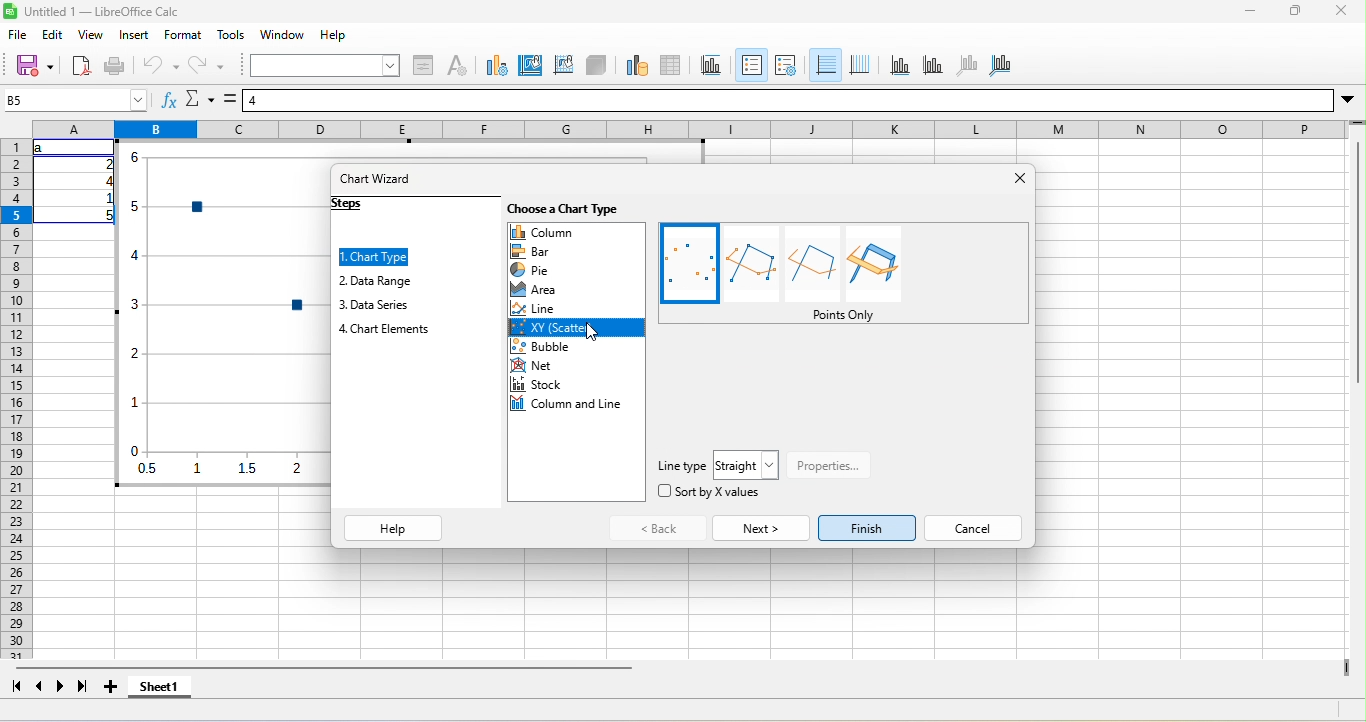  What do you see at coordinates (106, 181) in the screenshot?
I see `4` at bounding box center [106, 181].